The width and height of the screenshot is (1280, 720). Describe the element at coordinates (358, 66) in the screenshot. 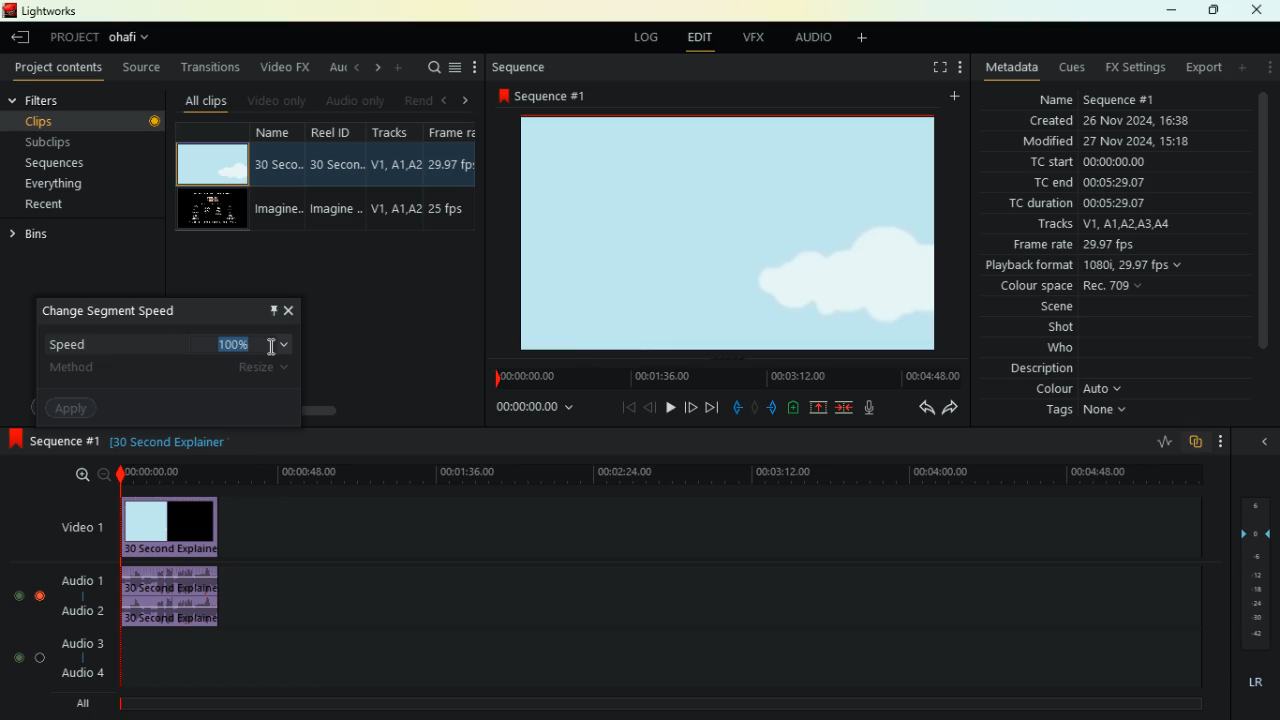

I see `left` at that location.